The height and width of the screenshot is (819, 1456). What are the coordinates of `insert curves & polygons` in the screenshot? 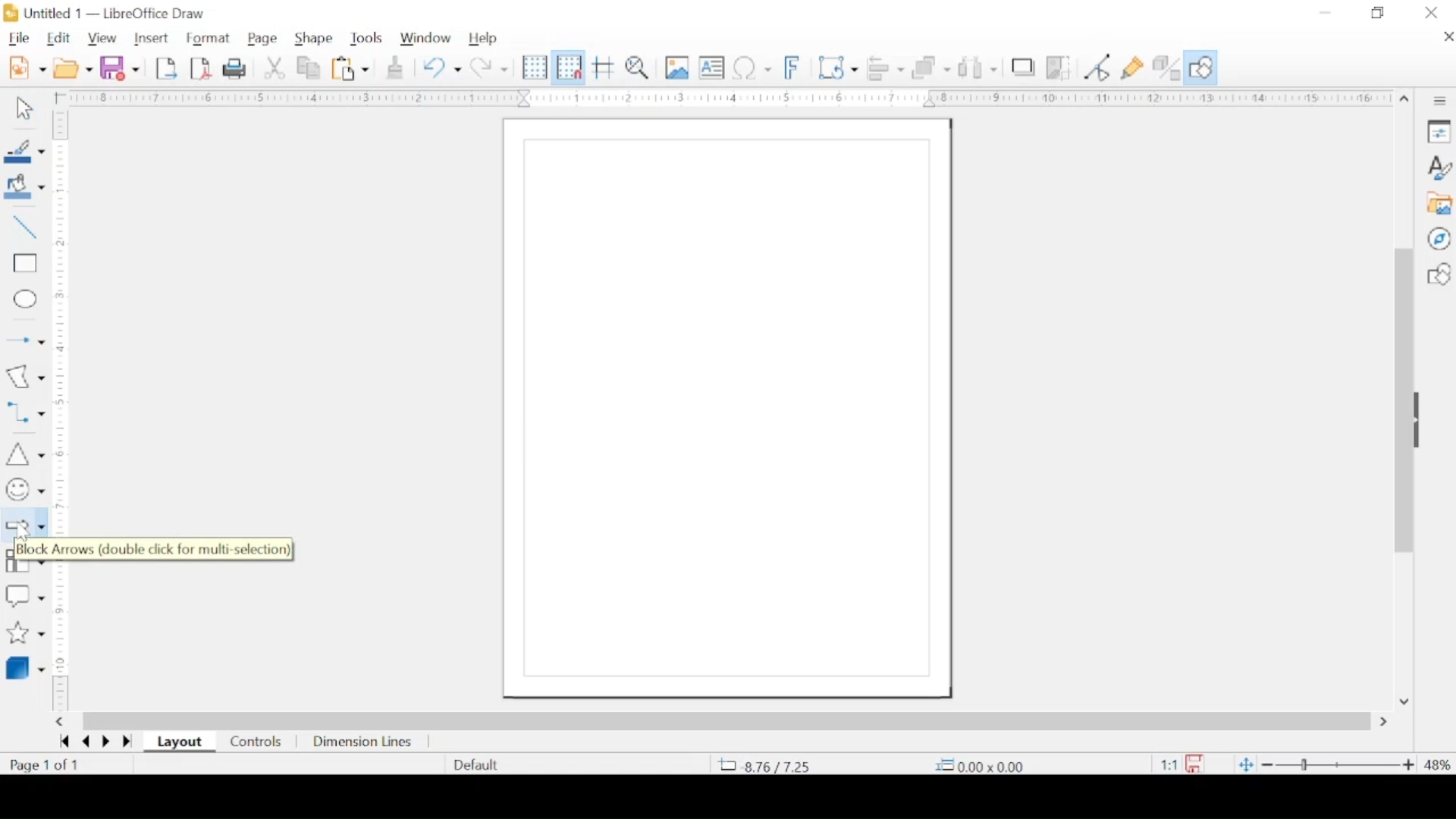 It's located at (25, 376).